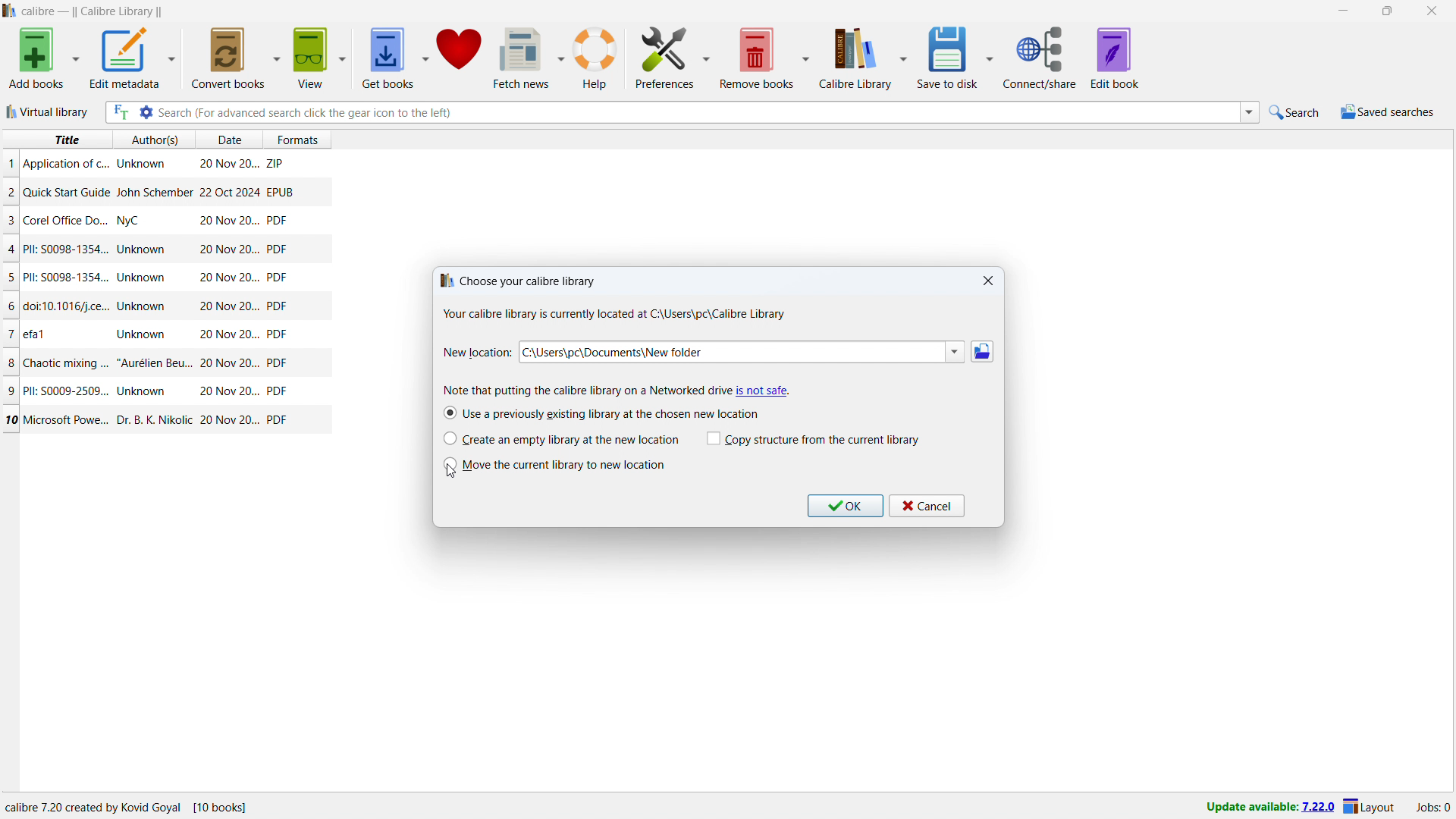 The width and height of the screenshot is (1456, 819). Describe the element at coordinates (231, 363) in the screenshot. I see `Date` at that location.